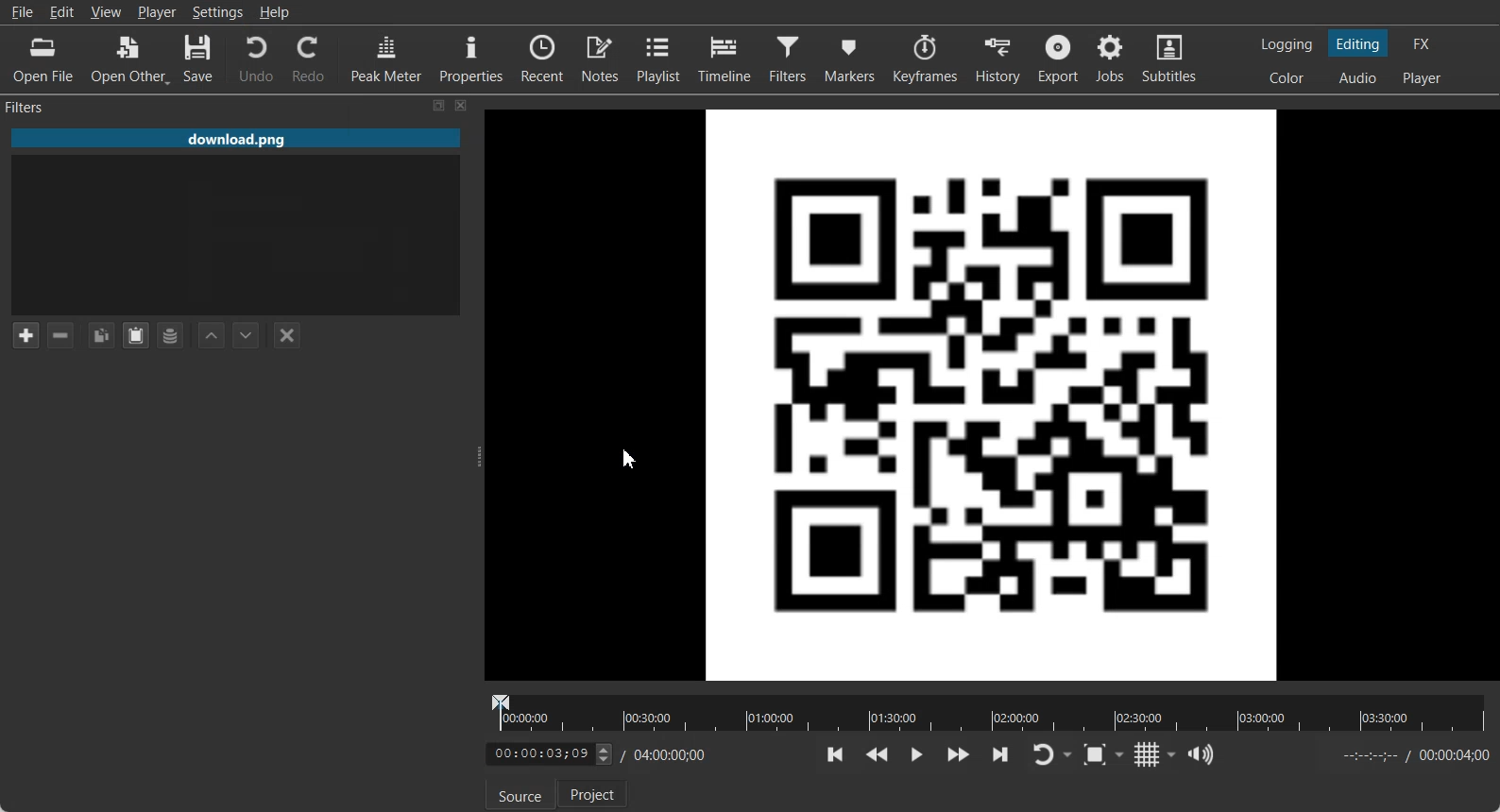 This screenshot has height=812, width=1500. I want to click on Switch to the Audio layout, so click(1357, 77).